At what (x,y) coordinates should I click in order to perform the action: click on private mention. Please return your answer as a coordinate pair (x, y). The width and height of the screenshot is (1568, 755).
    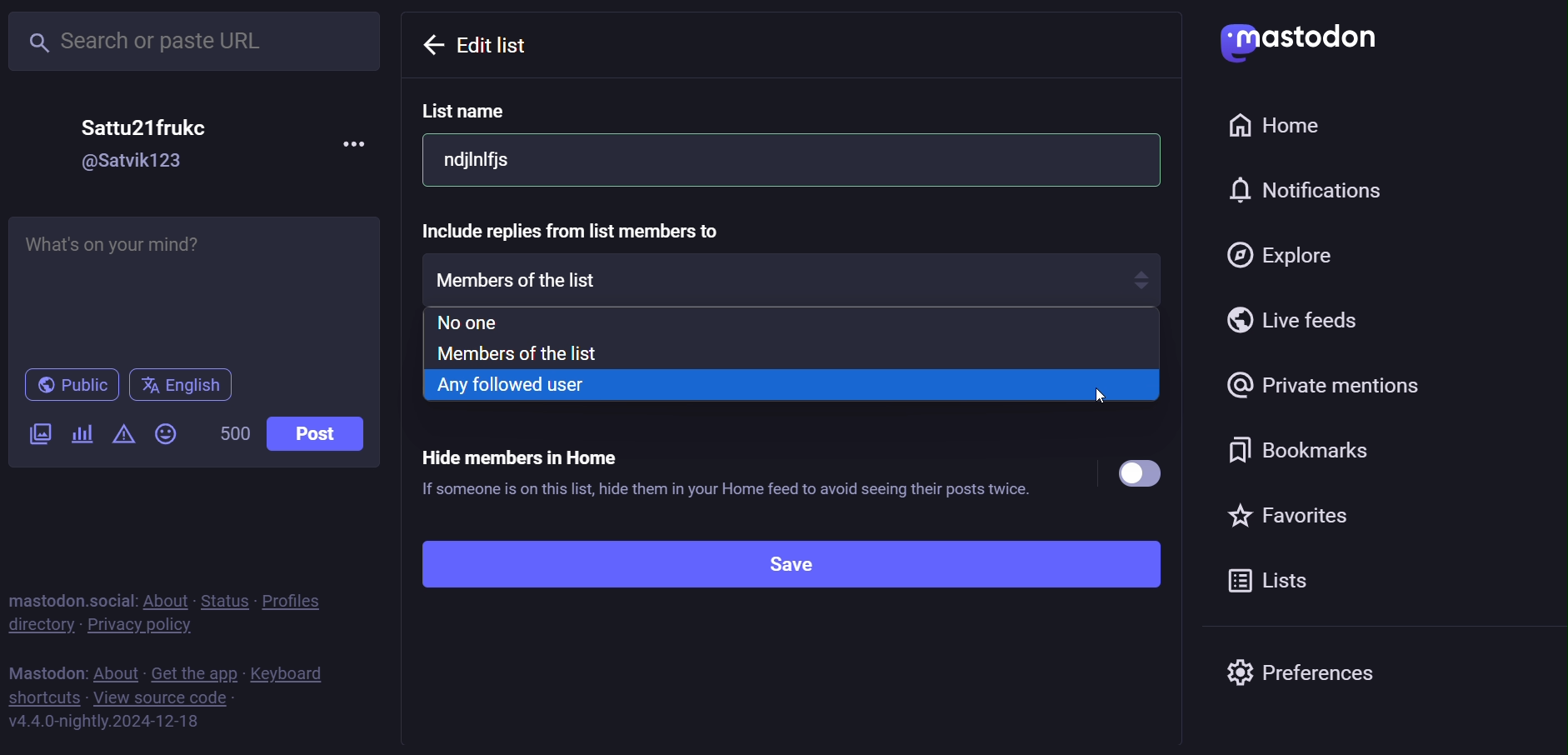
    Looking at the image, I should click on (1328, 387).